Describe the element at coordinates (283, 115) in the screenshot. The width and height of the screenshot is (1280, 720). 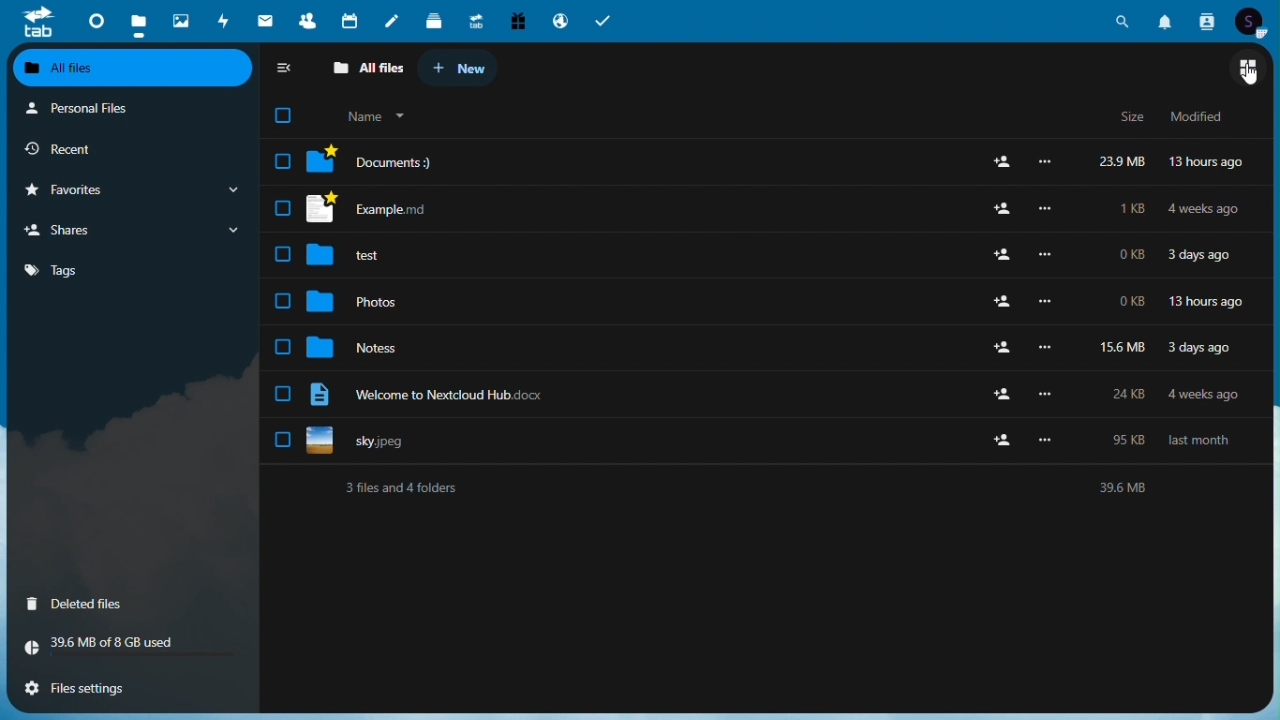
I see `checkbox` at that location.